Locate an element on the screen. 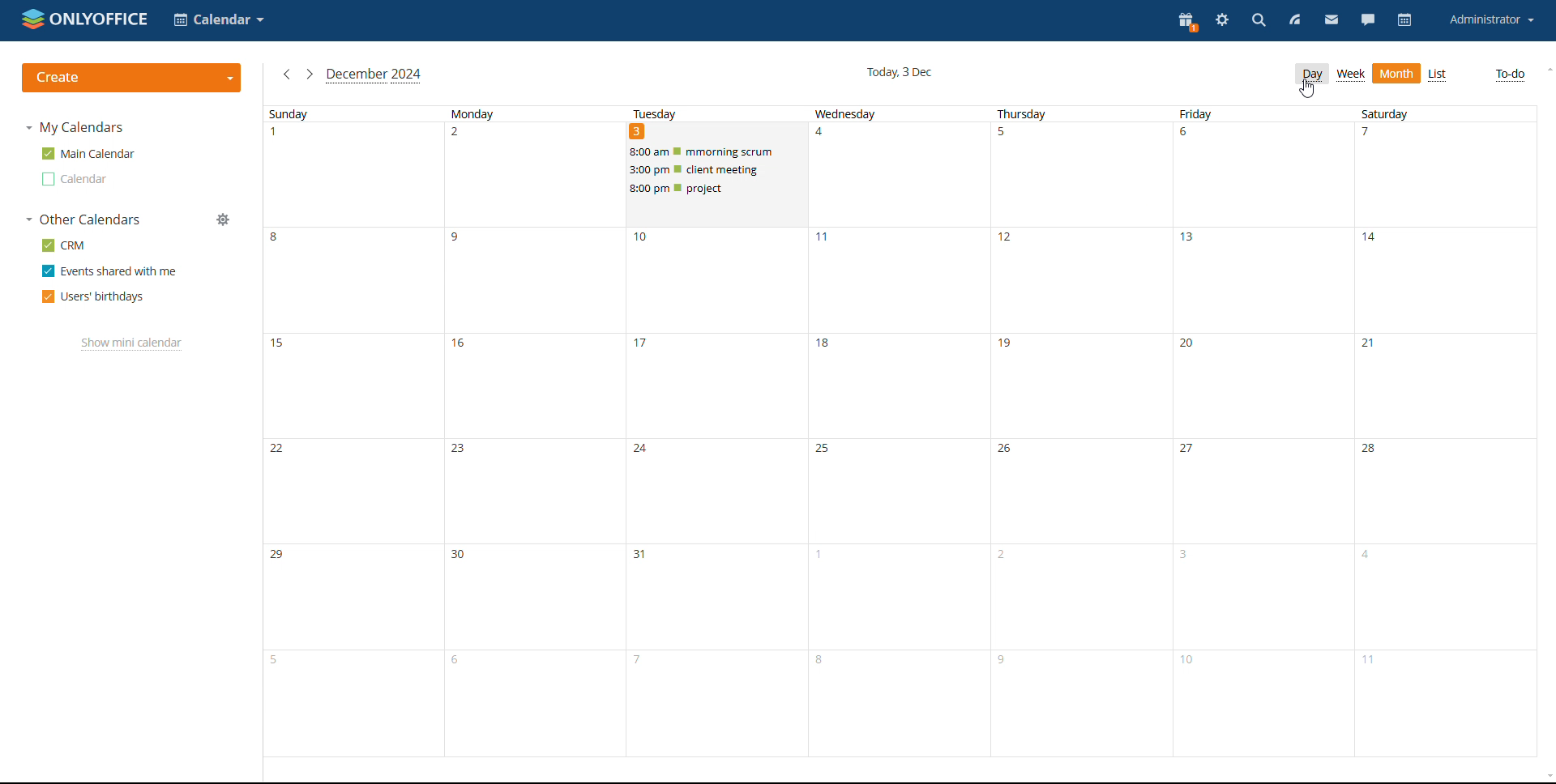  select application is located at coordinates (217, 19).